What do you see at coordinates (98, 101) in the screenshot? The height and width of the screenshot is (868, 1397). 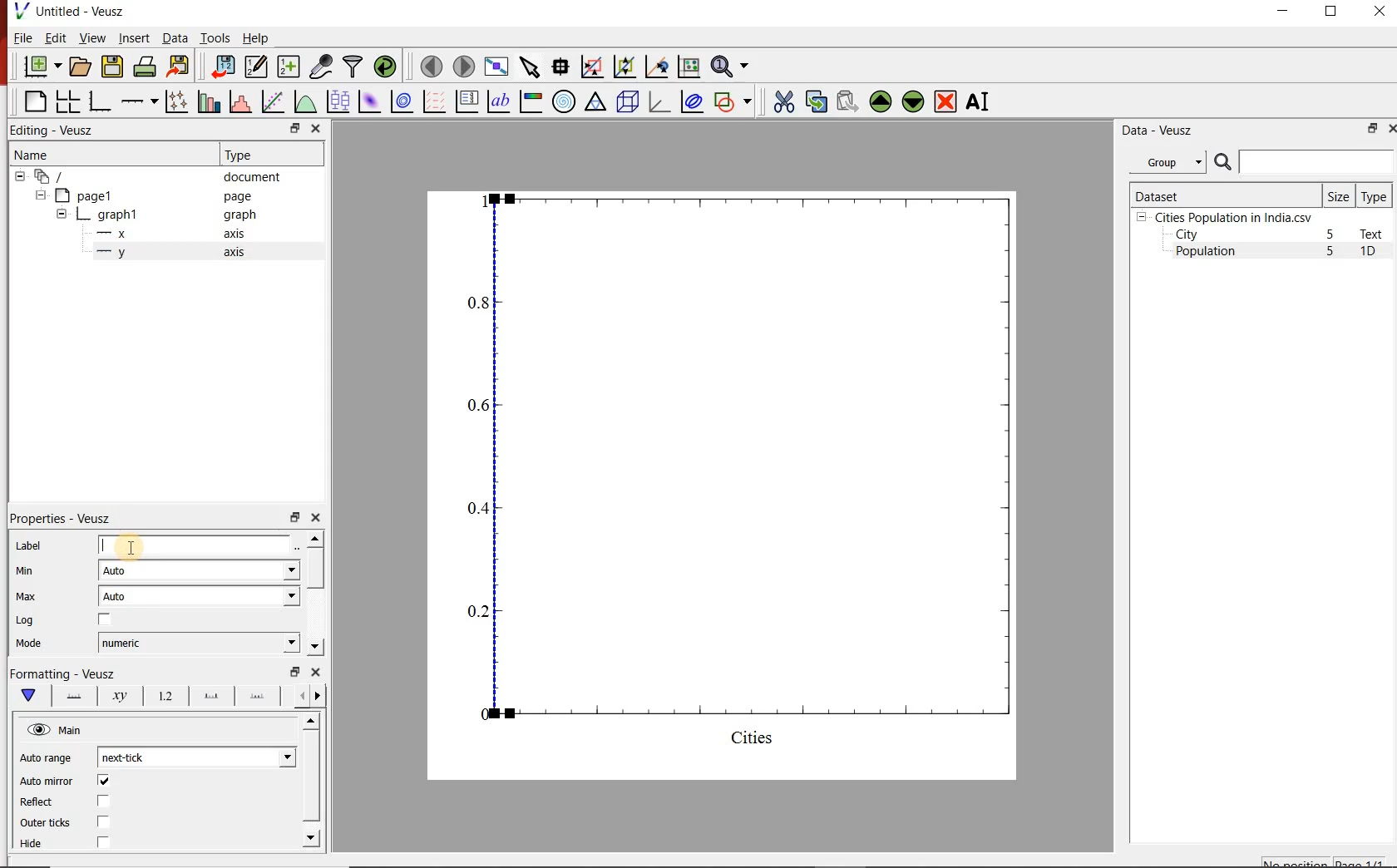 I see `base graph` at bounding box center [98, 101].